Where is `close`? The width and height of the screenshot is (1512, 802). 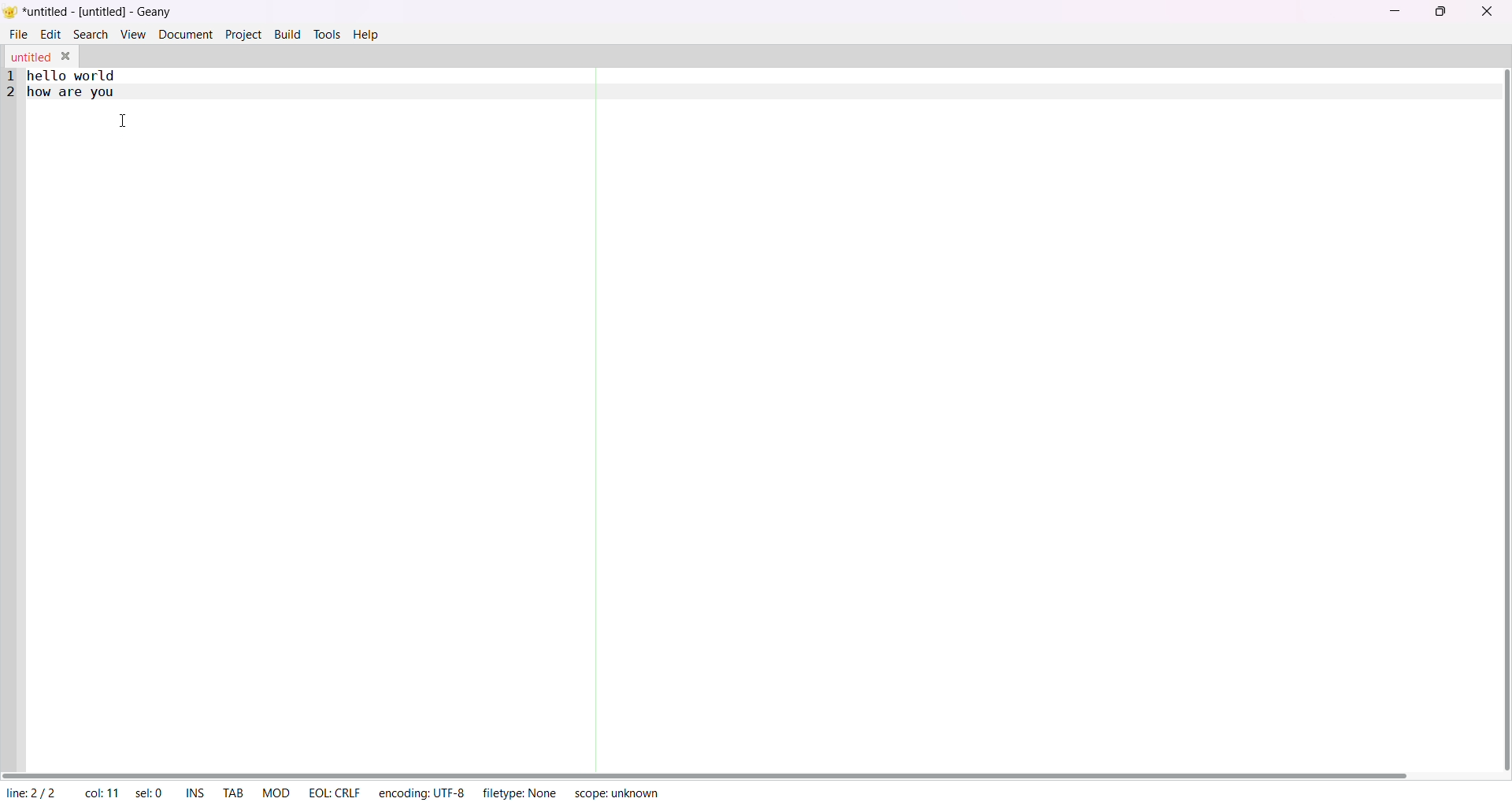 close is located at coordinates (1486, 12).